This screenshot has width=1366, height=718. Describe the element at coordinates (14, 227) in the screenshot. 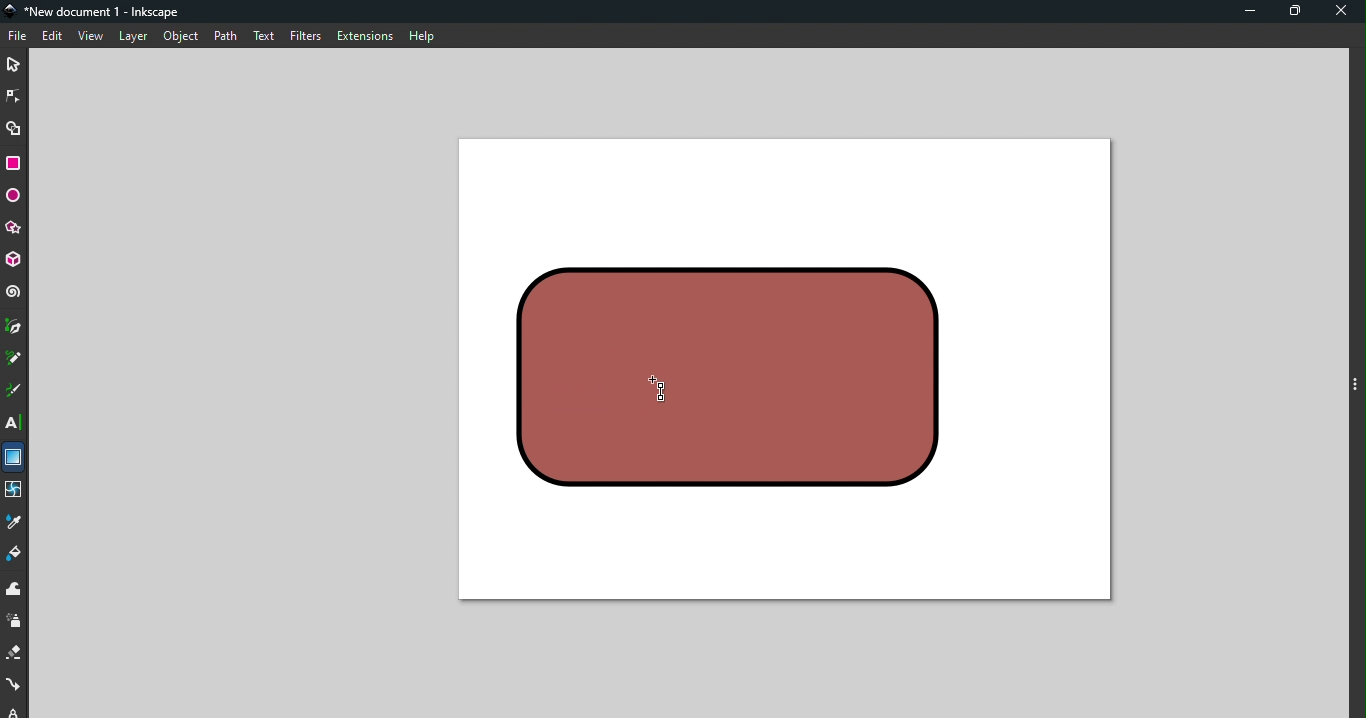

I see `star/polygon tool` at that location.